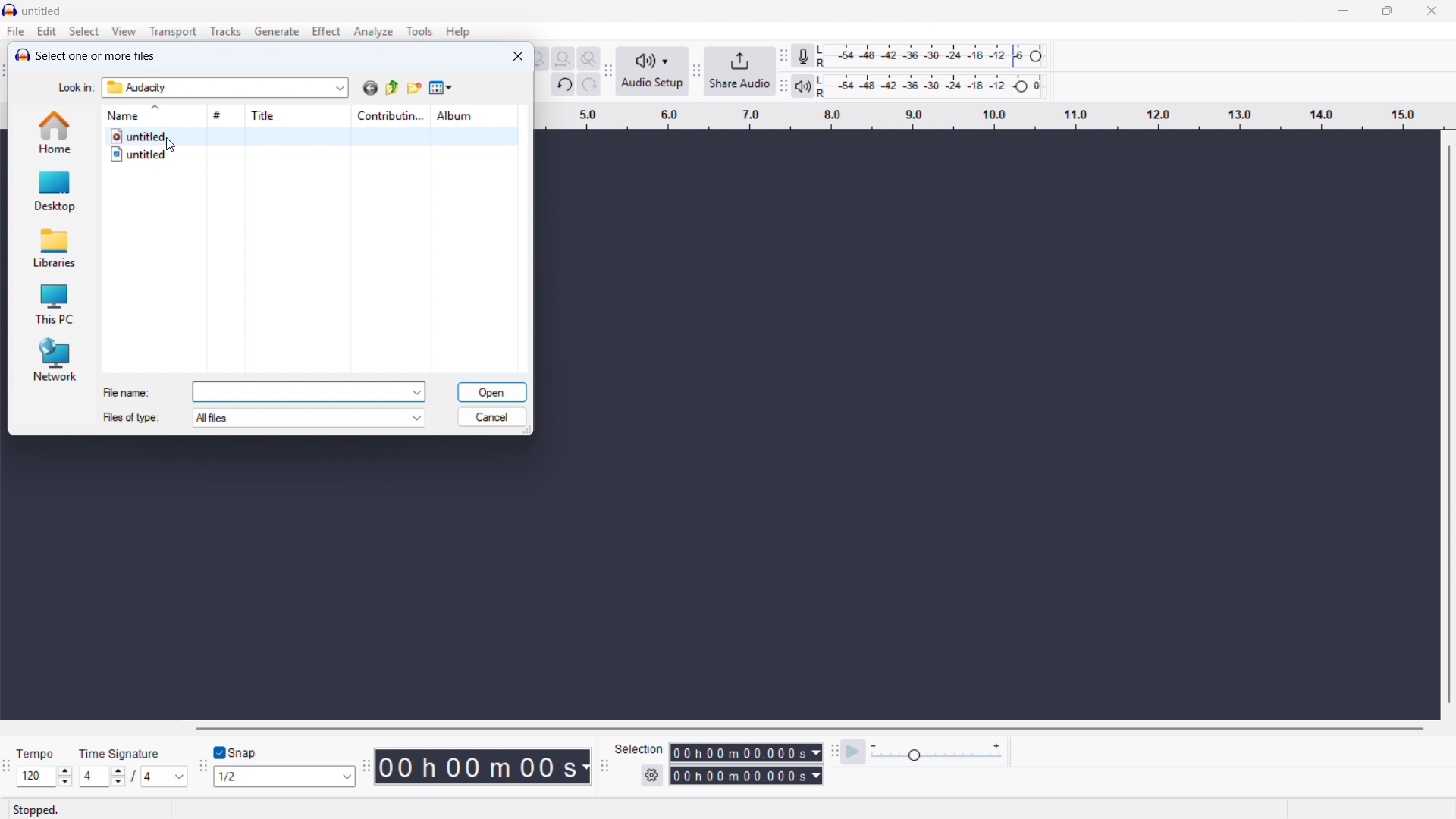  I want to click on Set snapping , so click(284, 776).